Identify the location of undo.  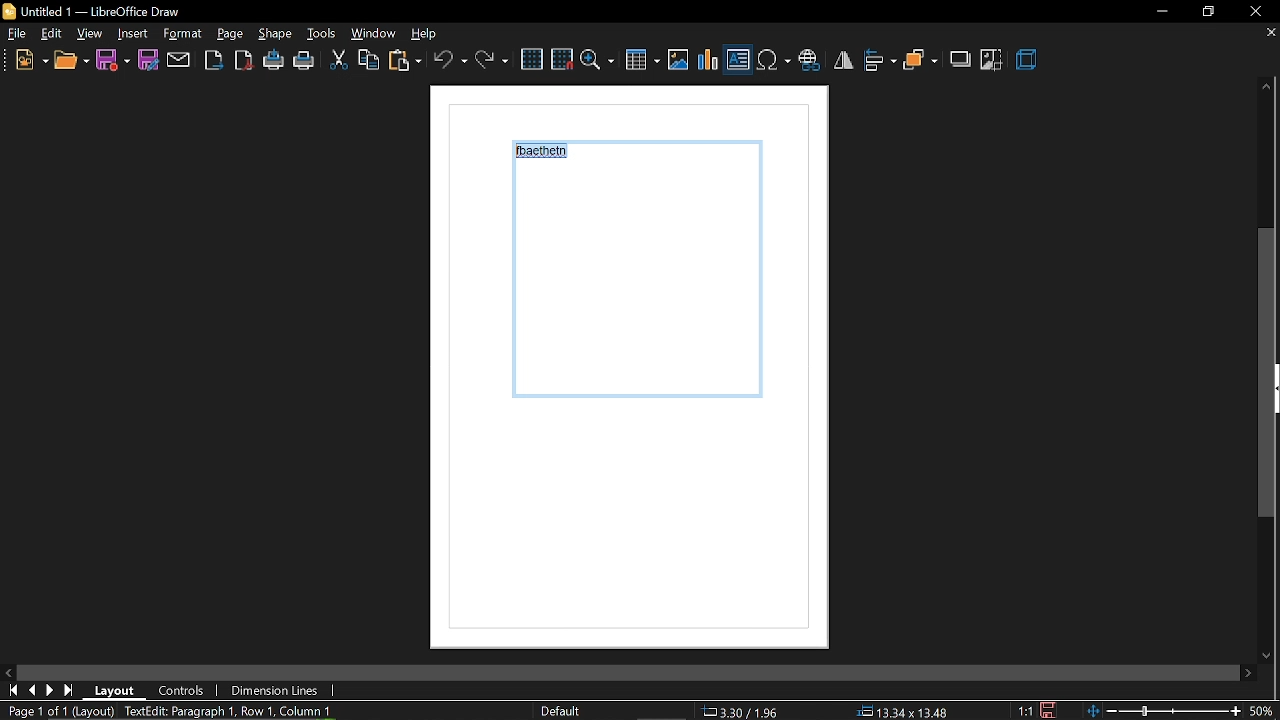
(449, 60).